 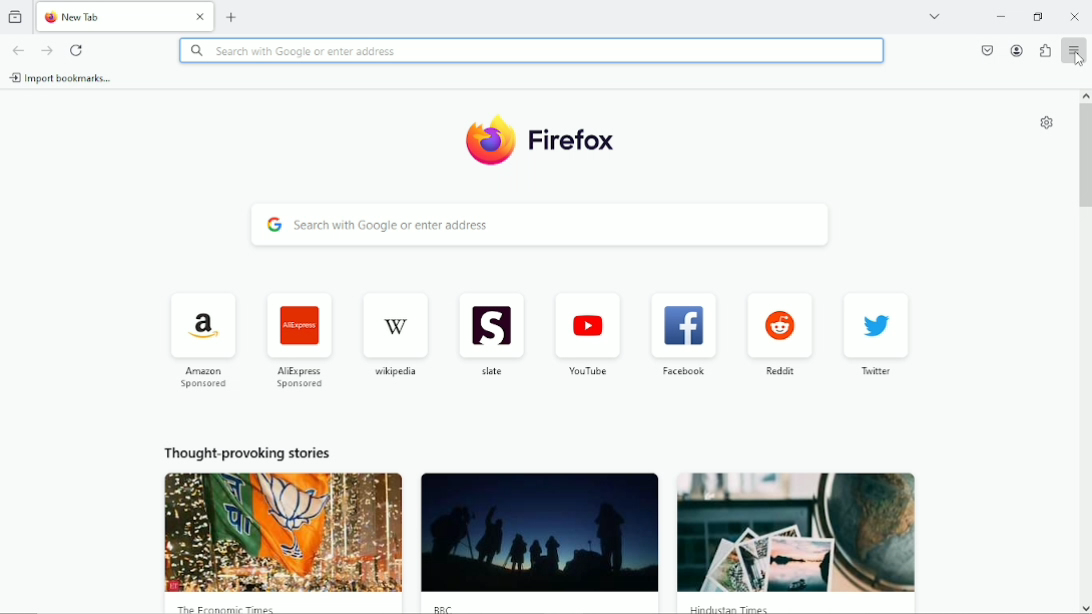 What do you see at coordinates (1073, 49) in the screenshot?
I see `Open application menu` at bounding box center [1073, 49].